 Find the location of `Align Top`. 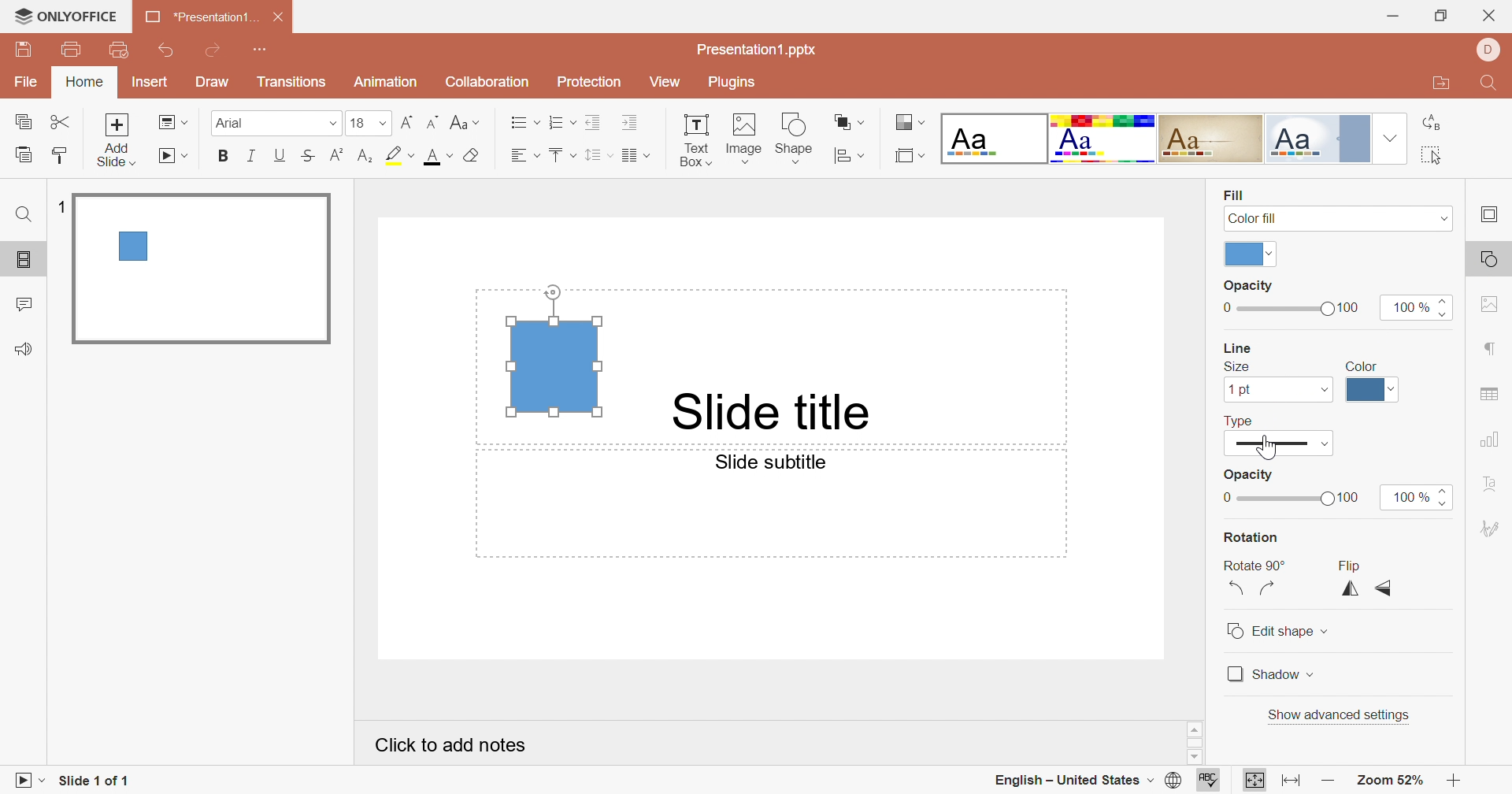

Align Top is located at coordinates (560, 155).